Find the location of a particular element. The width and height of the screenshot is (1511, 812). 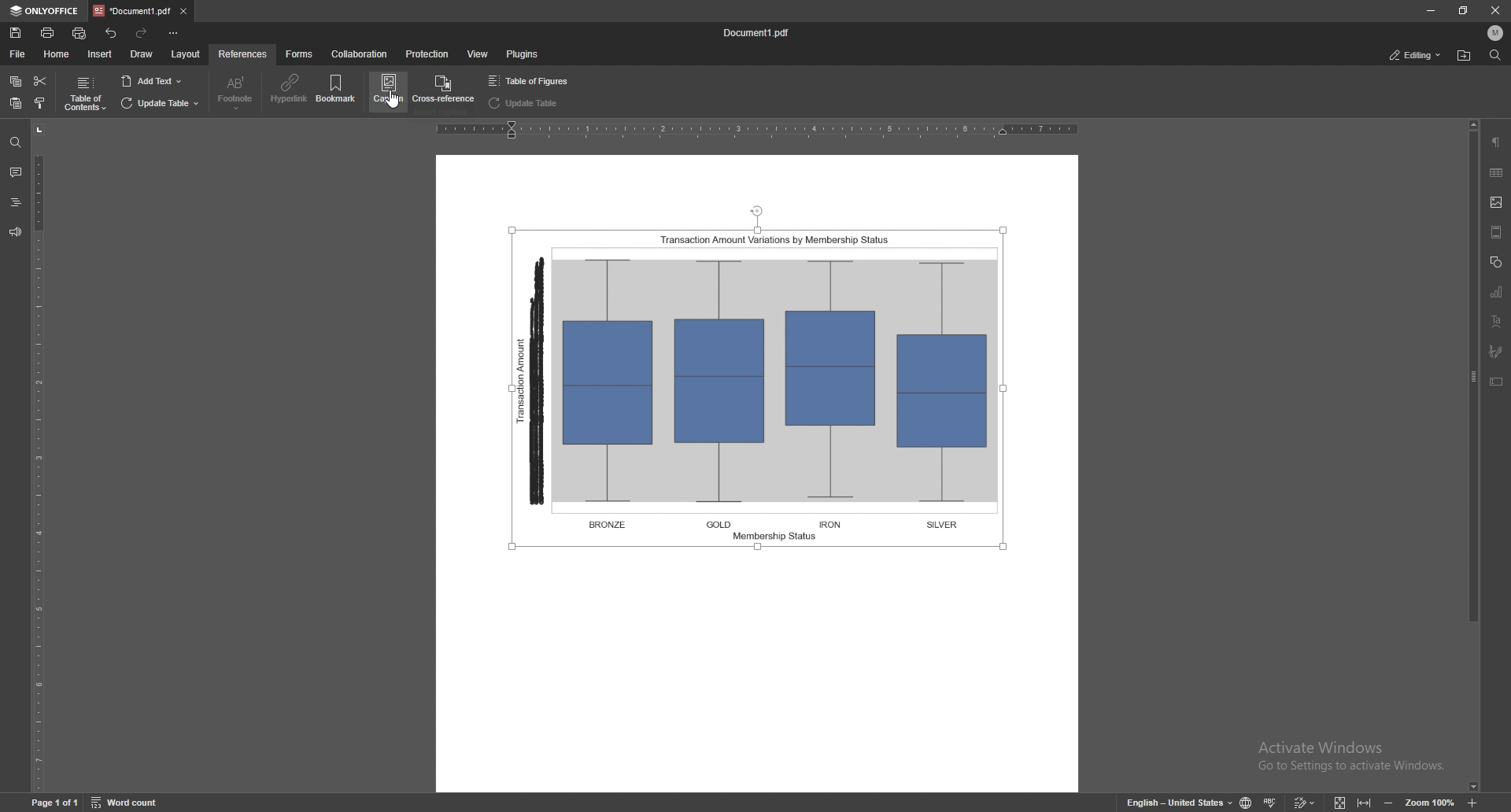

file name is located at coordinates (756, 33).